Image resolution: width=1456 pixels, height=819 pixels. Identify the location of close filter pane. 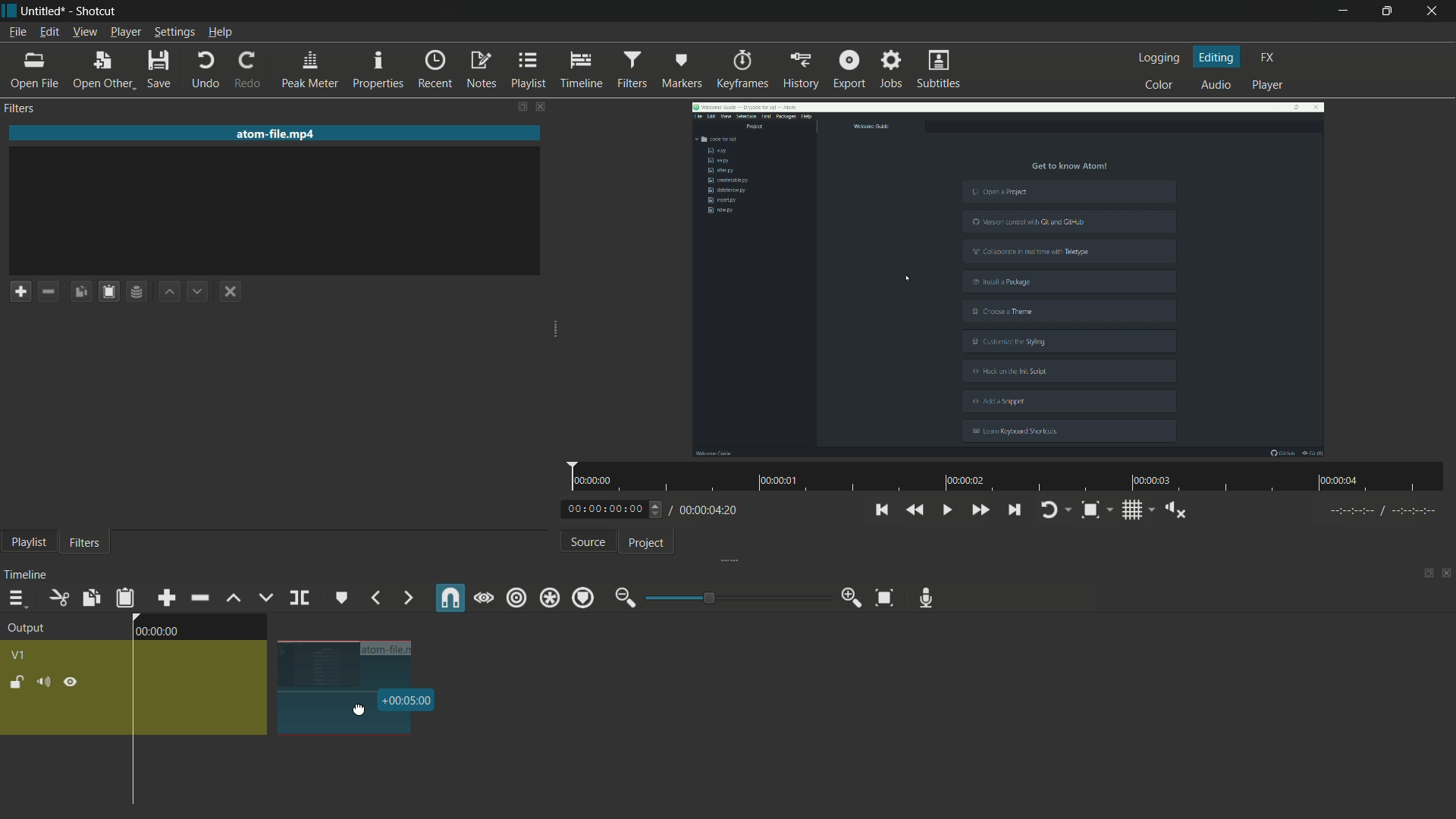
(543, 105).